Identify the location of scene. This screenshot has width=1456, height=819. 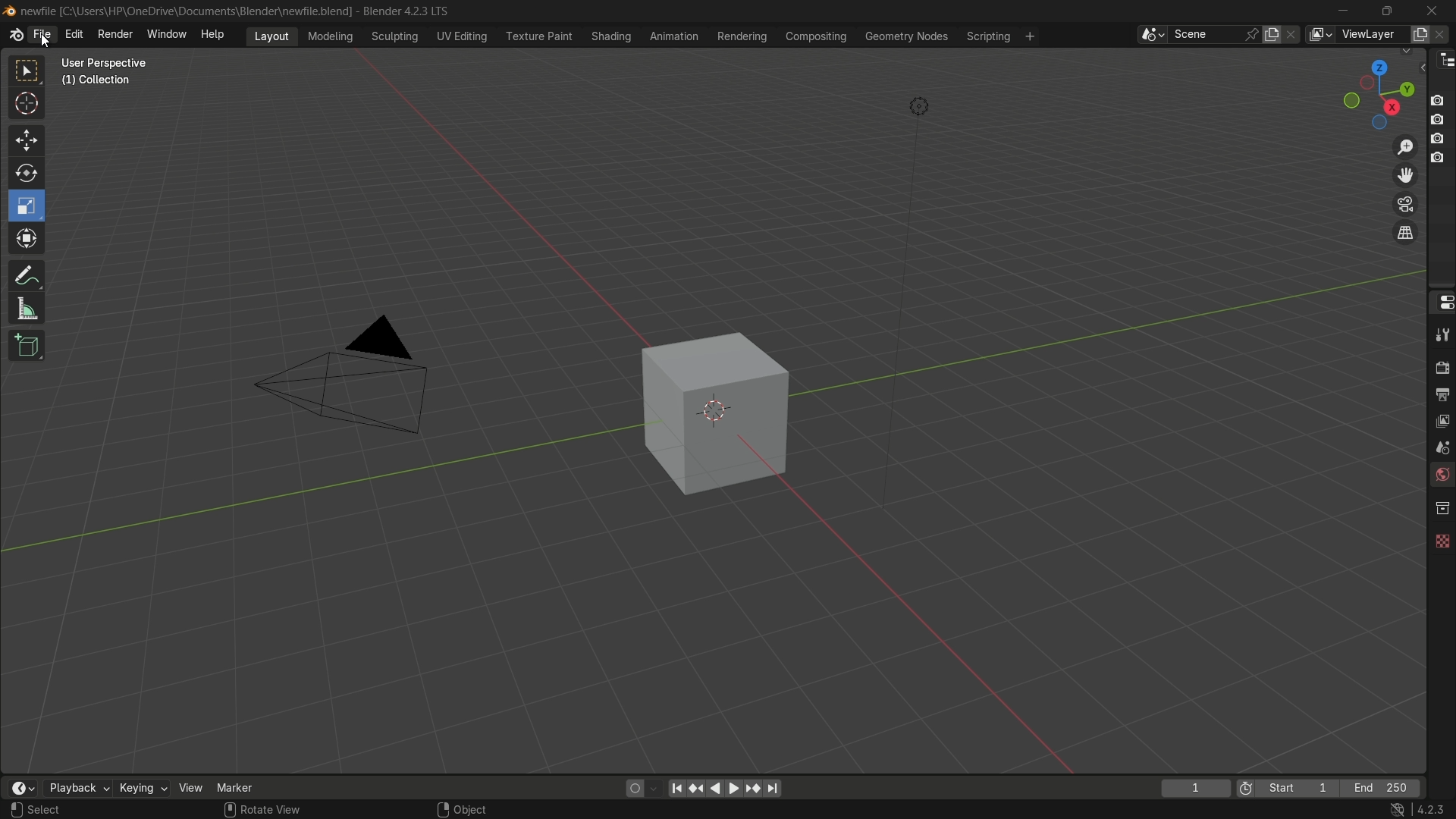
(1439, 447).